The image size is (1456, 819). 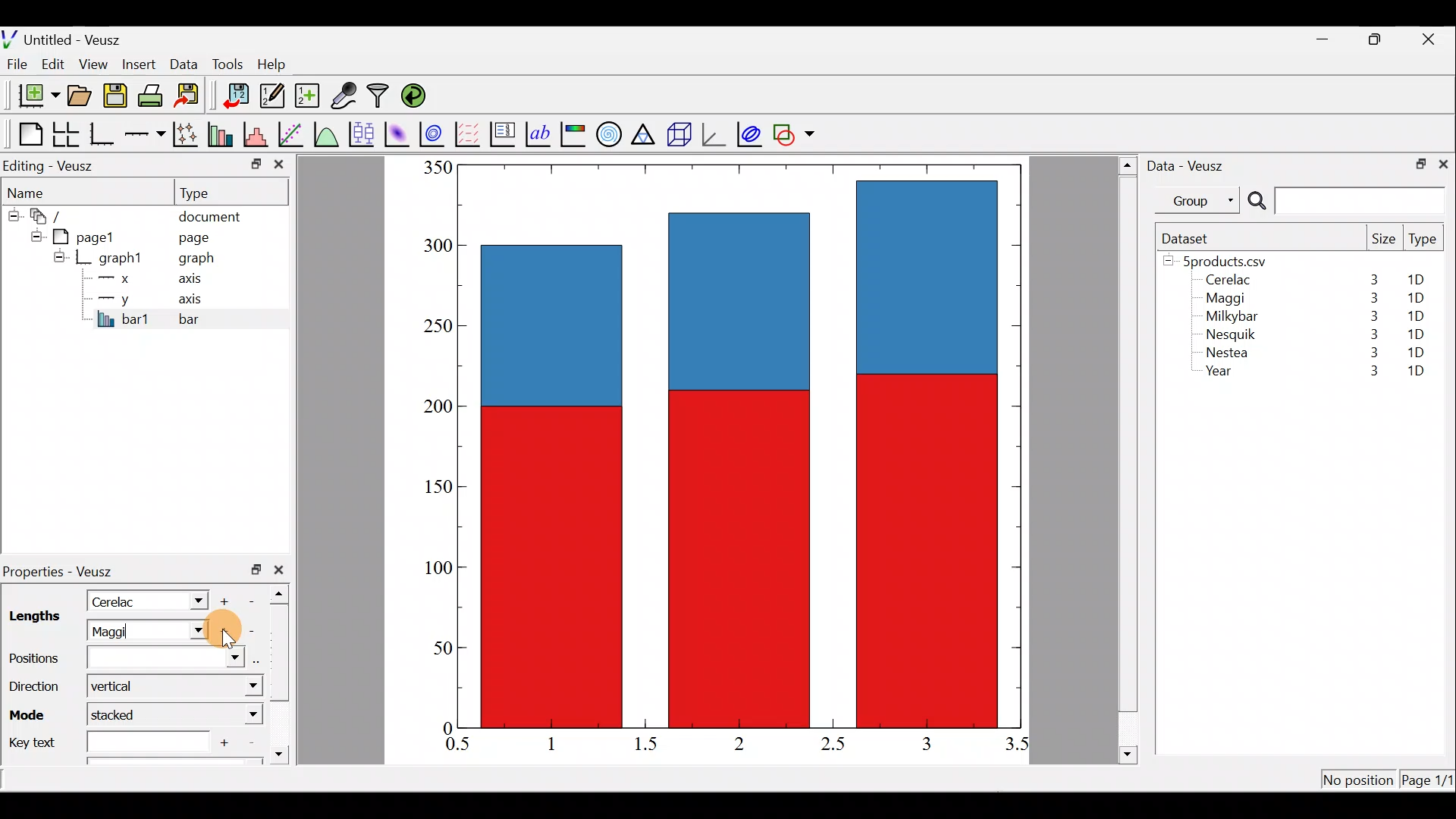 I want to click on scroll bar, so click(x=284, y=670).